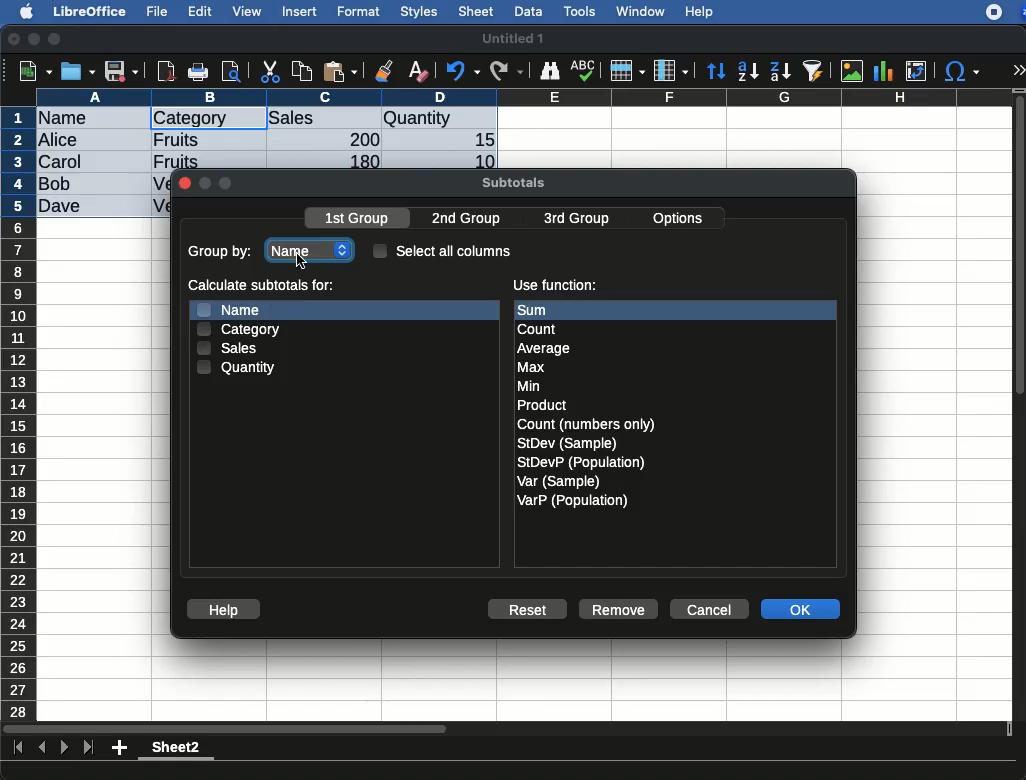 The width and height of the screenshot is (1026, 780). I want to click on edit, so click(200, 11).